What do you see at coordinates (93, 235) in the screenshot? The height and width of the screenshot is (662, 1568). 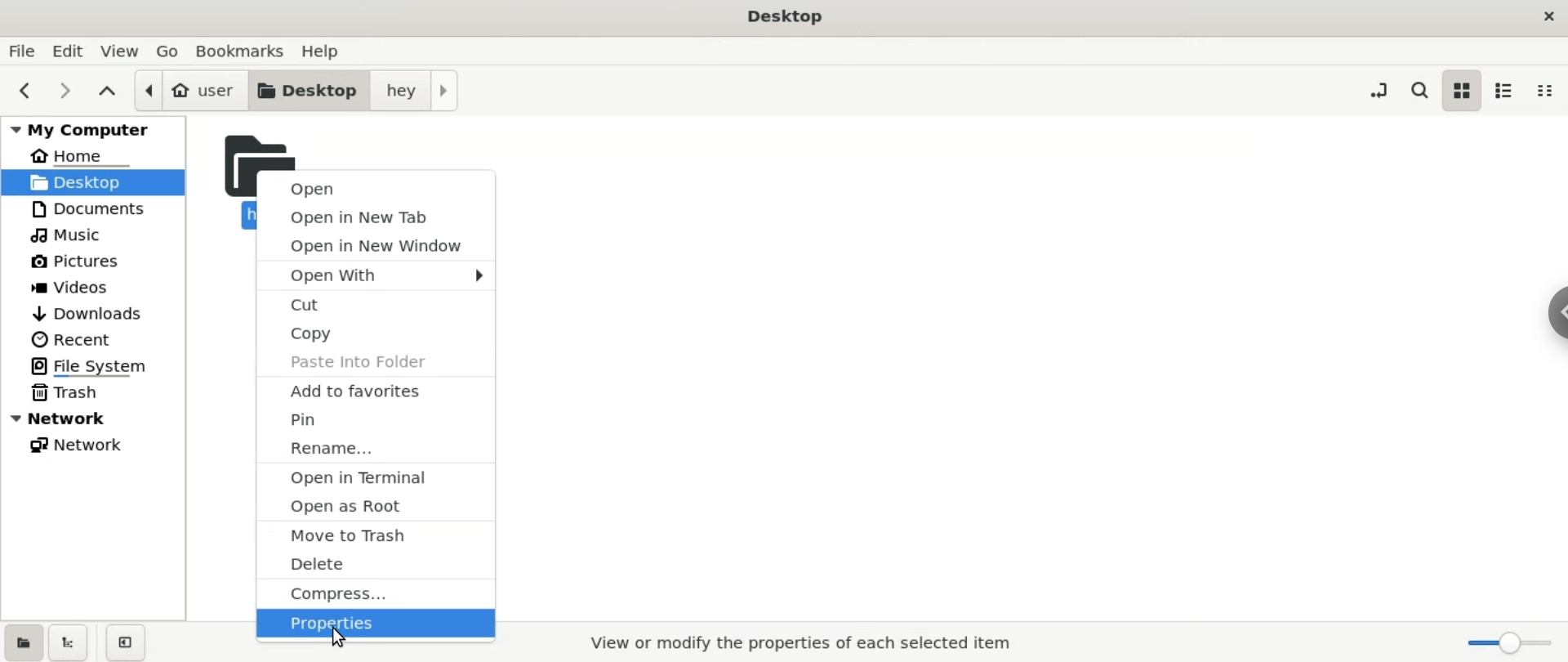 I see `music` at bounding box center [93, 235].